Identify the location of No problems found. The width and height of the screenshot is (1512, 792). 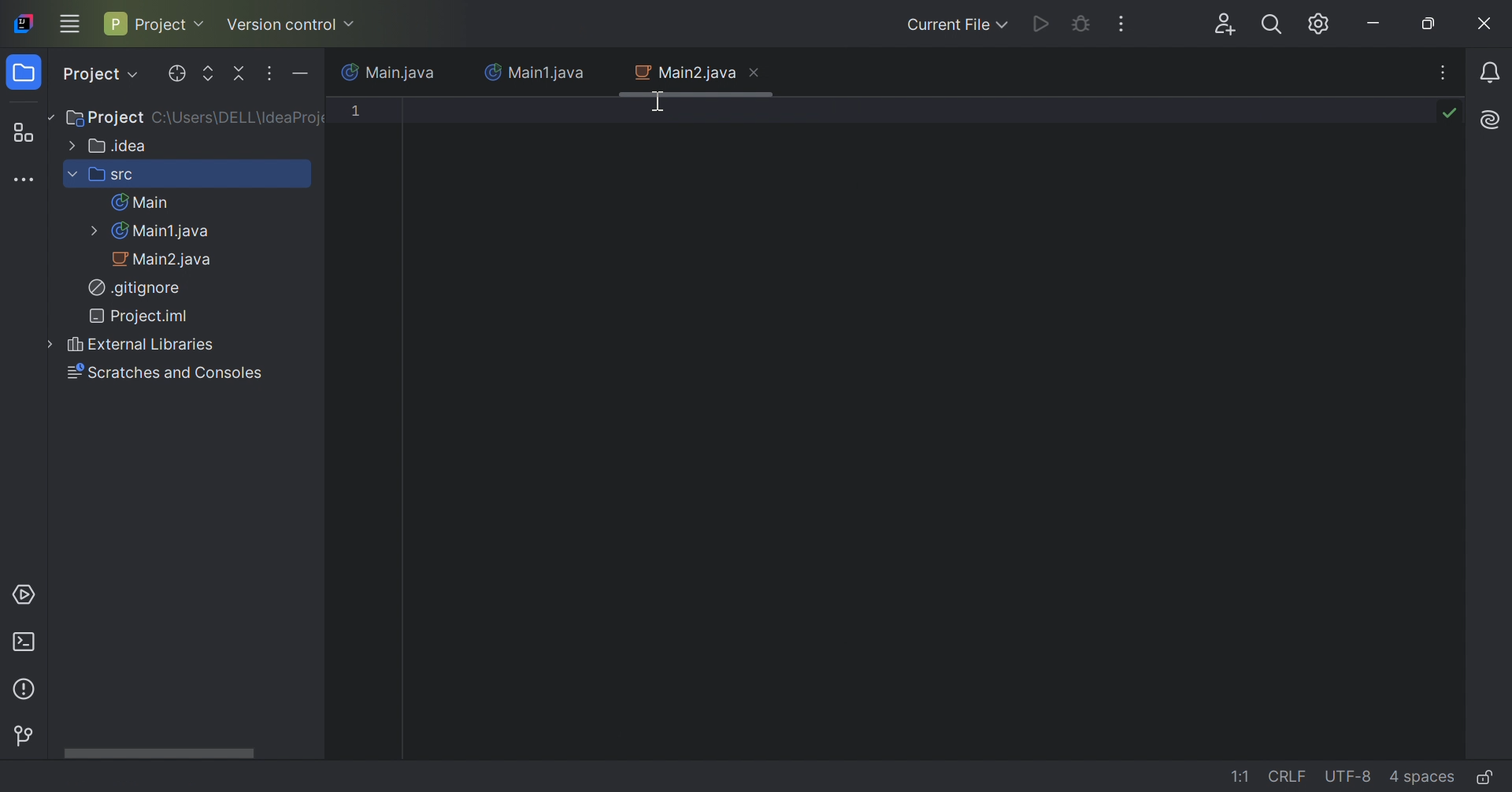
(1447, 113).